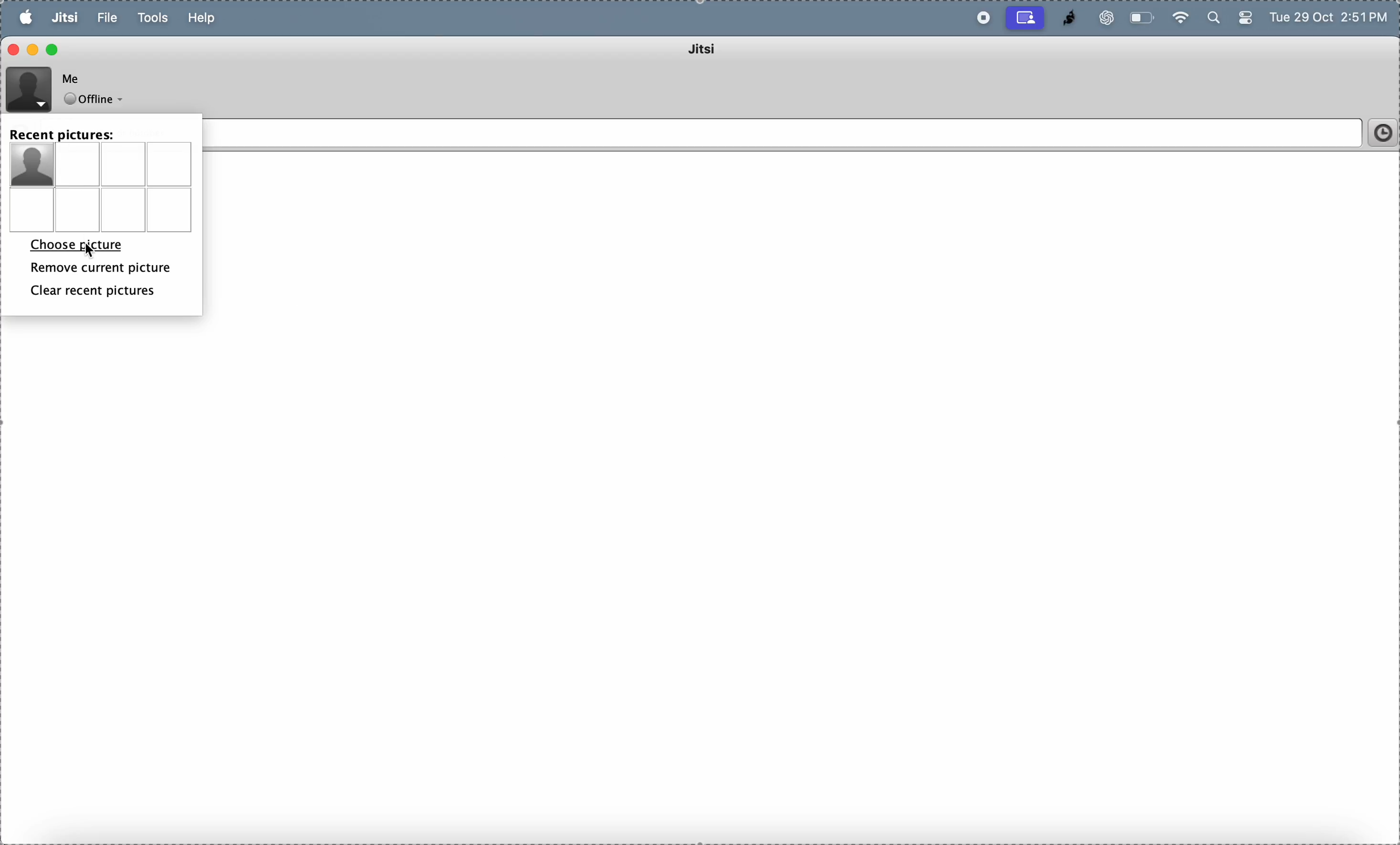  What do you see at coordinates (74, 77) in the screenshot?
I see `Me` at bounding box center [74, 77].